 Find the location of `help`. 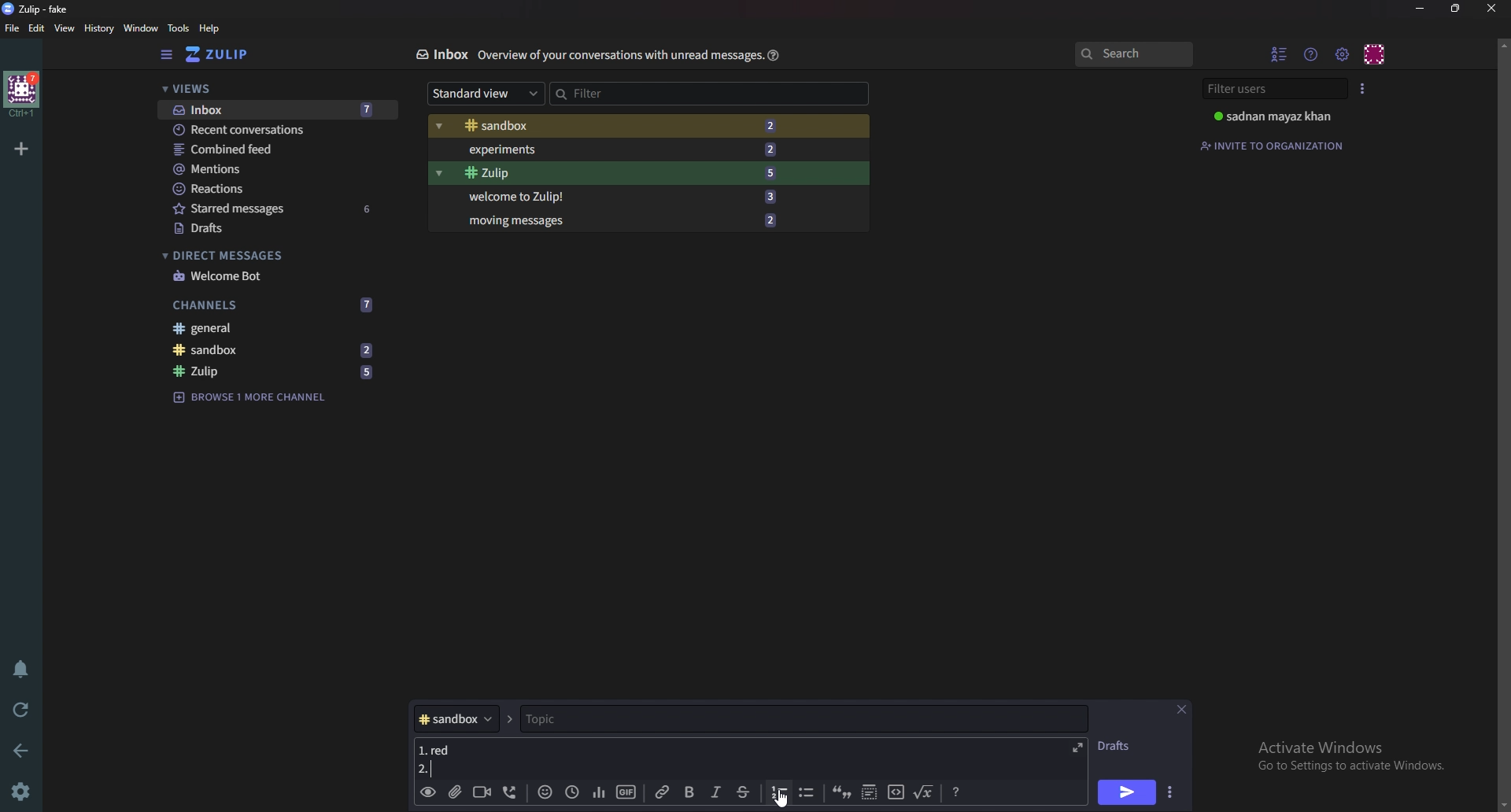

help is located at coordinates (209, 29).